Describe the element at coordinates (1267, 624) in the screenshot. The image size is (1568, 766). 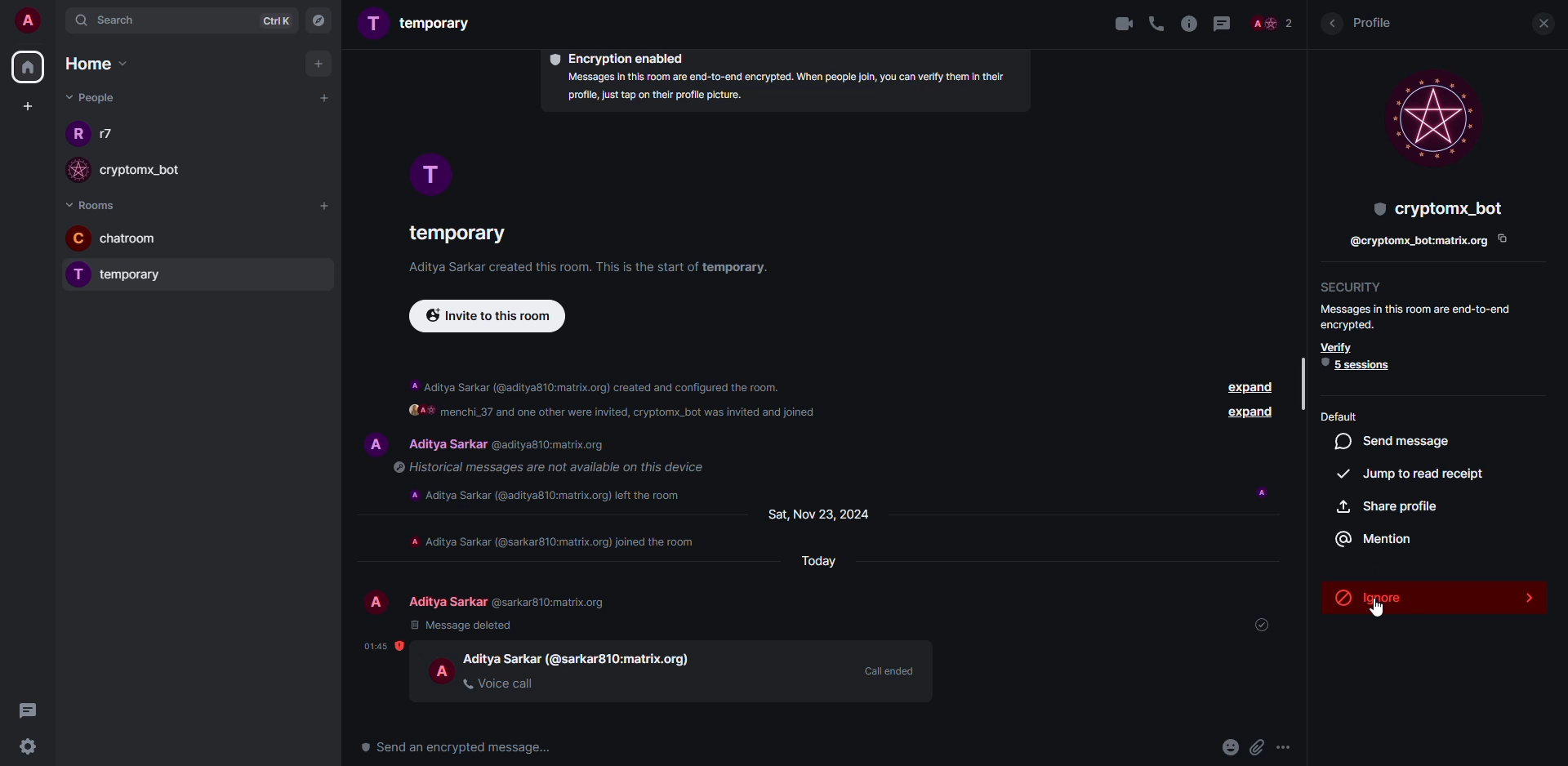
I see `sent` at that location.